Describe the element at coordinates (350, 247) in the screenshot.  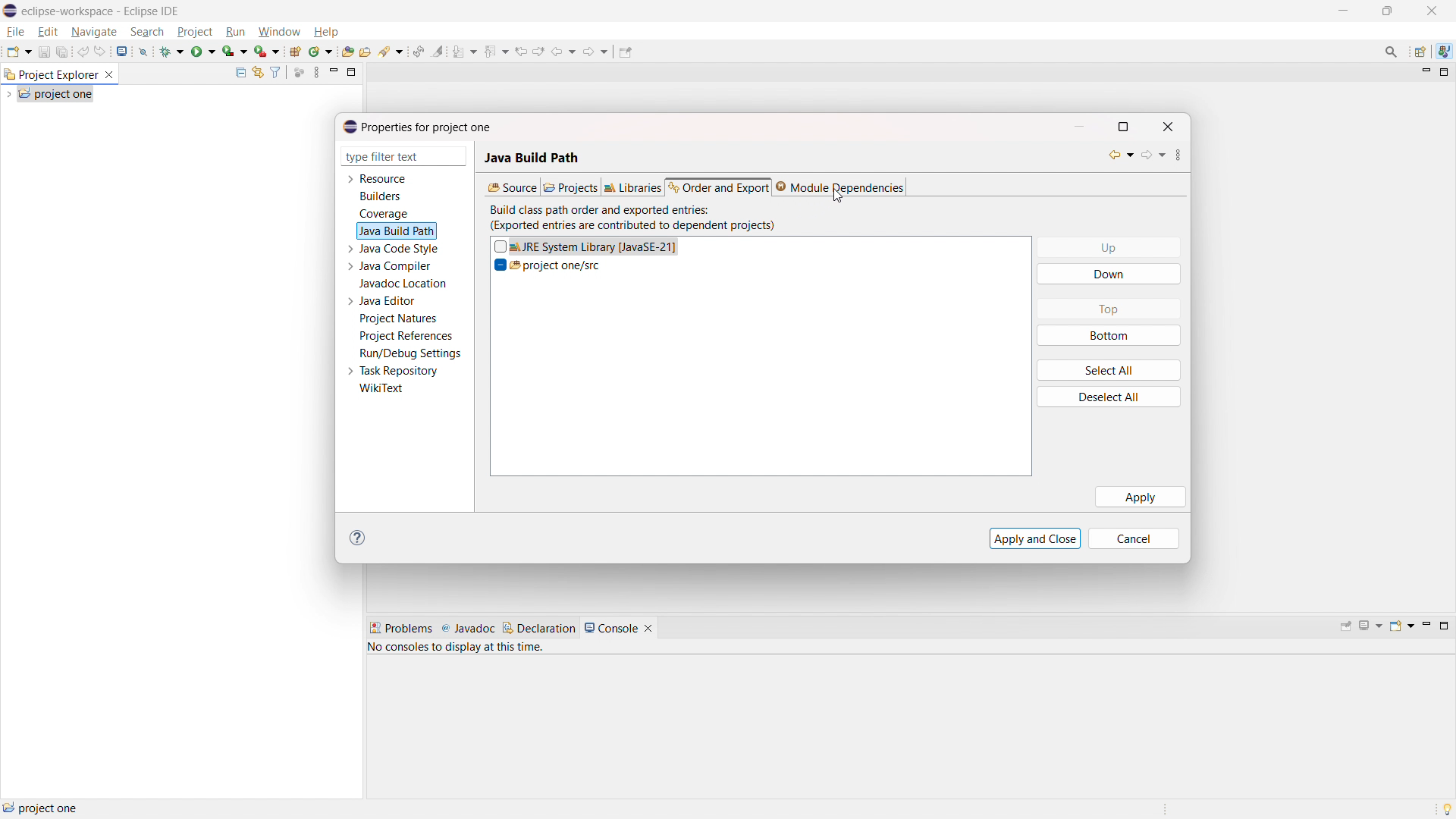
I see `expand java code style` at that location.